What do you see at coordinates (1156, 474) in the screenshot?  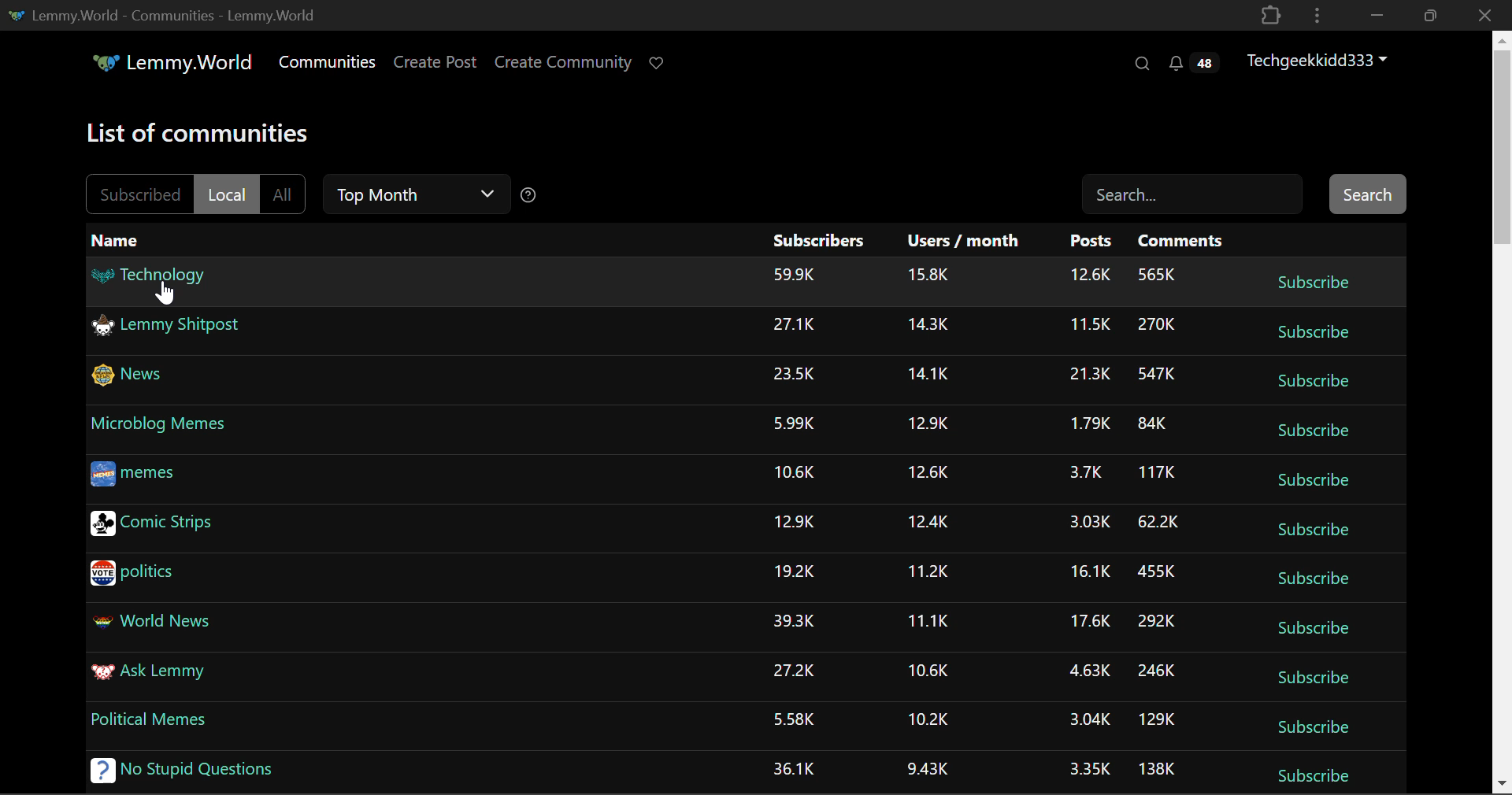 I see `Amount ` at bounding box center [1156, 474].